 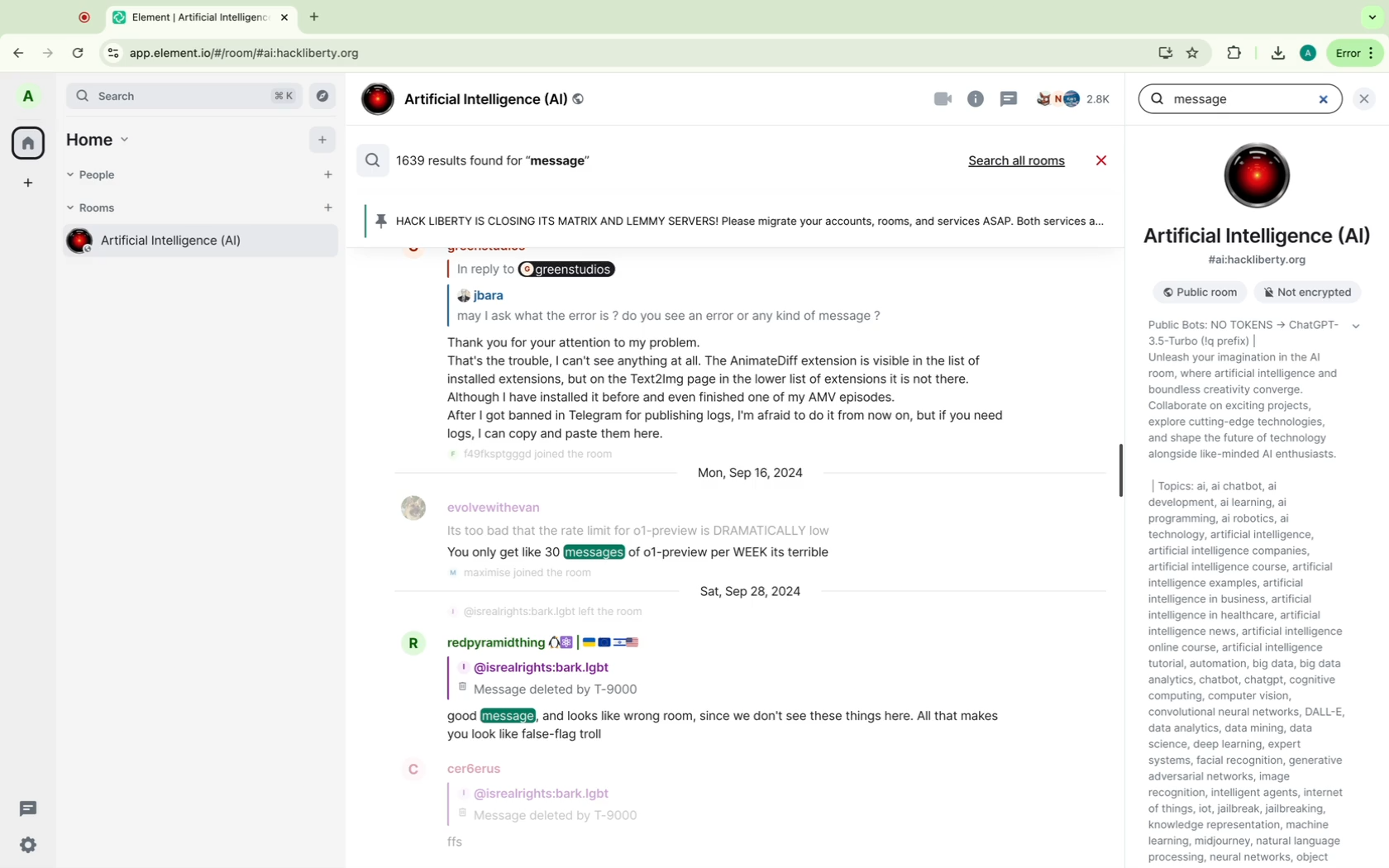 What do you see at coordinates (98, 176) in the screenshot?
I see `people` at bounding box center [98, 176].